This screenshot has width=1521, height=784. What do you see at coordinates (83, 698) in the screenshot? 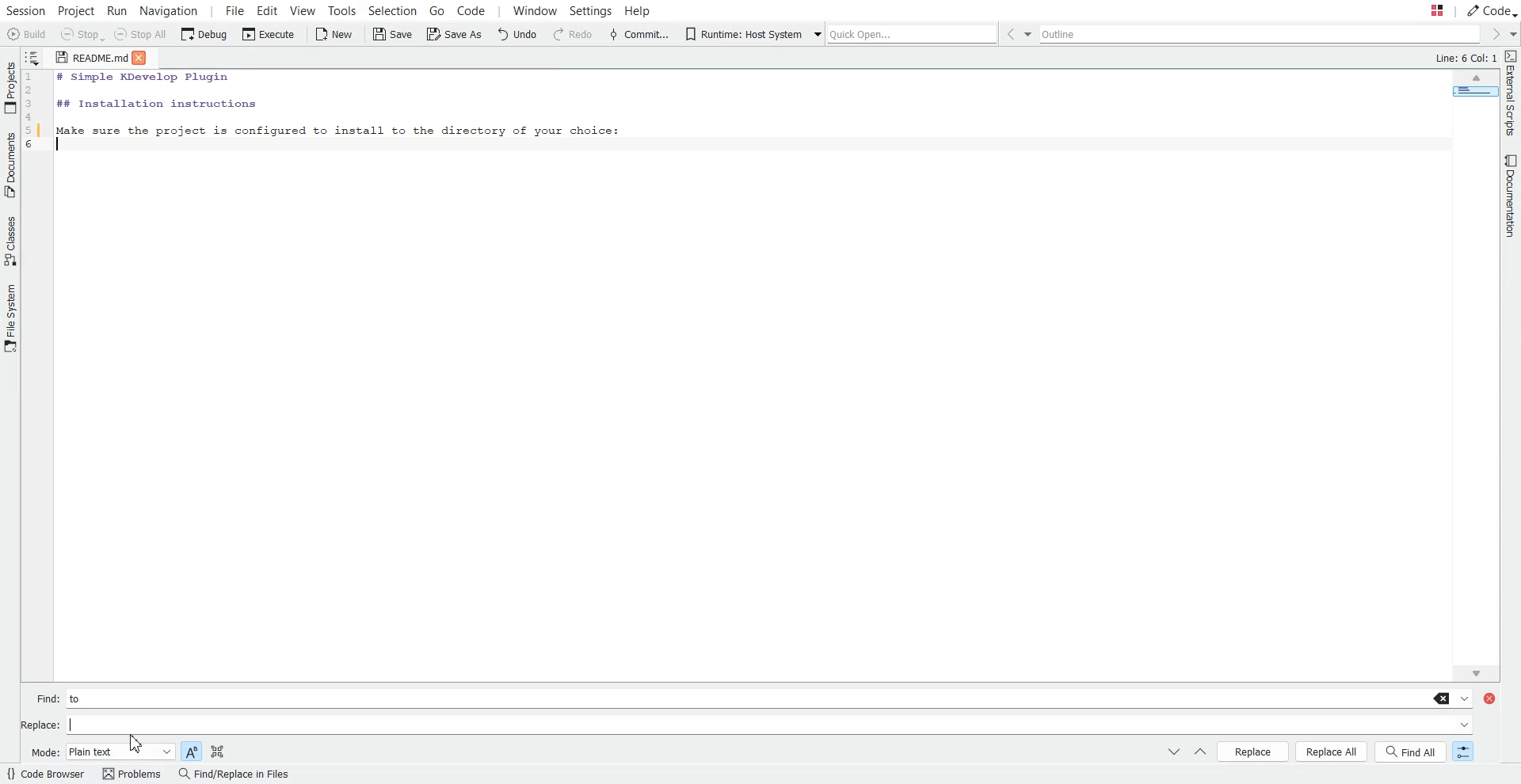
I see `to (text)` at bounding box center [83, 698].